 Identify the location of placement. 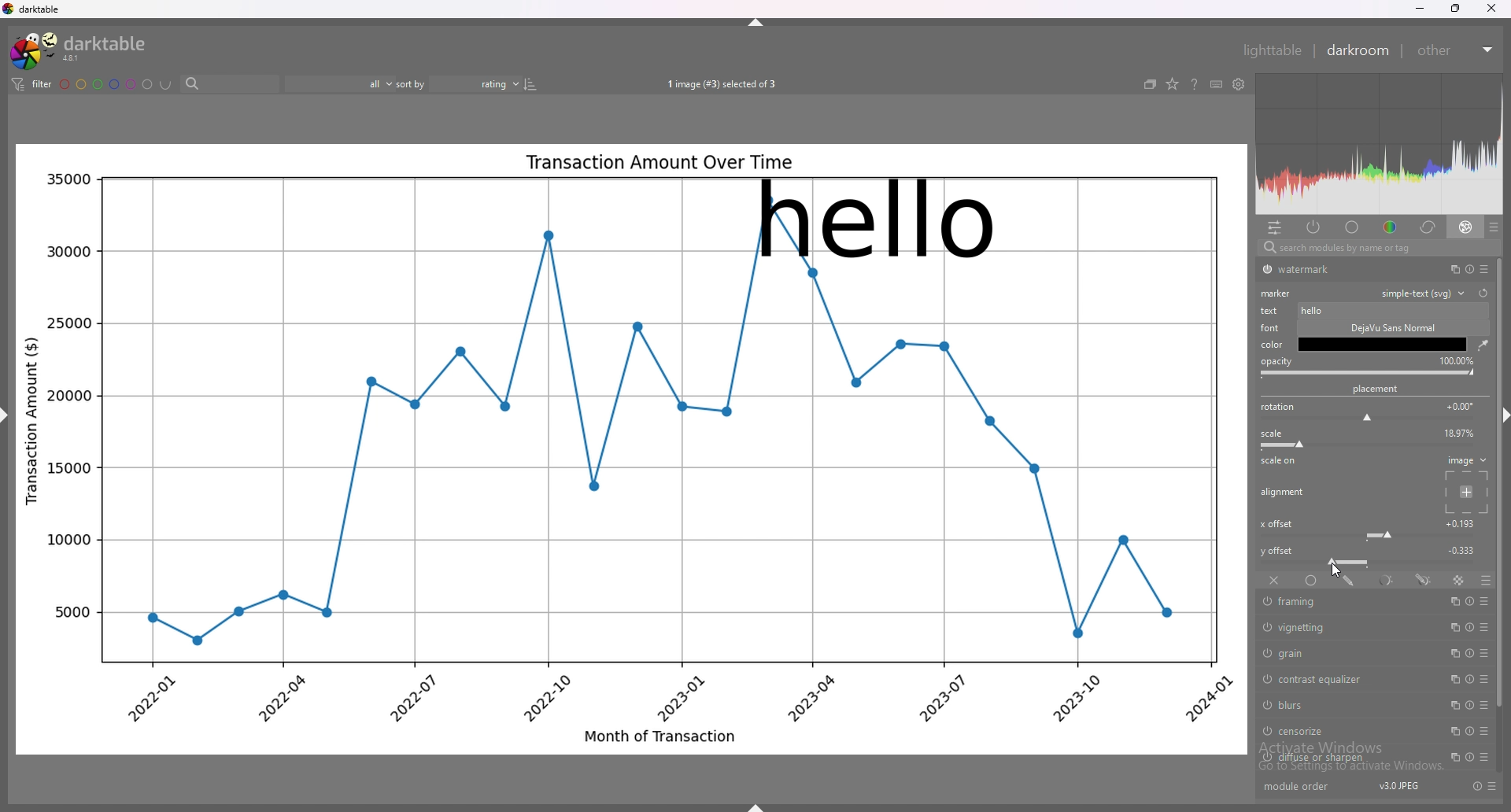
(1377, 389).